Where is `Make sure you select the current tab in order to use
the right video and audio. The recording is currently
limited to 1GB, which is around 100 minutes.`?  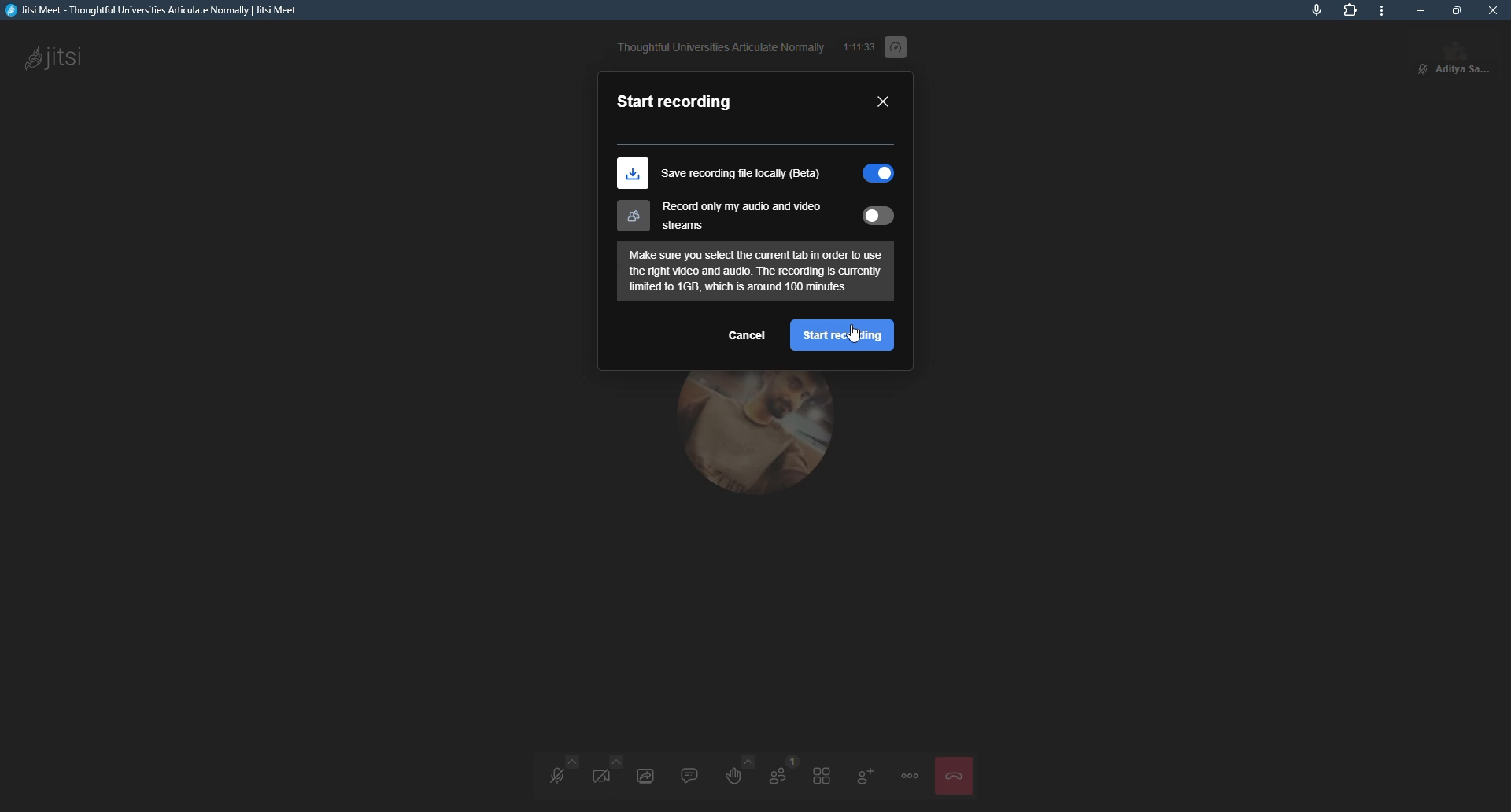
Make sure you select the current tab in order to use
the right video and audio. The recording is currently
limited to 1GB, which is around 100 minutes. is located at coordinates (755, 271).